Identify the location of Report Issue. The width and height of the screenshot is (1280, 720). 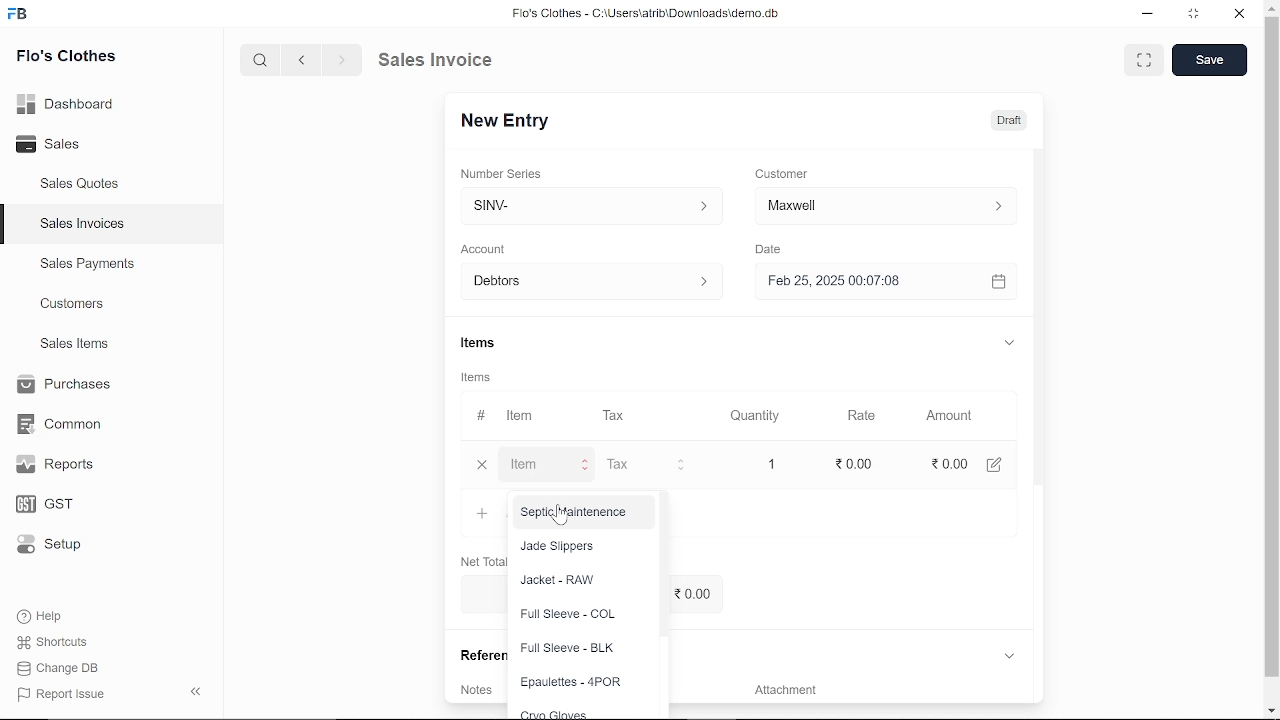
(61, 693).